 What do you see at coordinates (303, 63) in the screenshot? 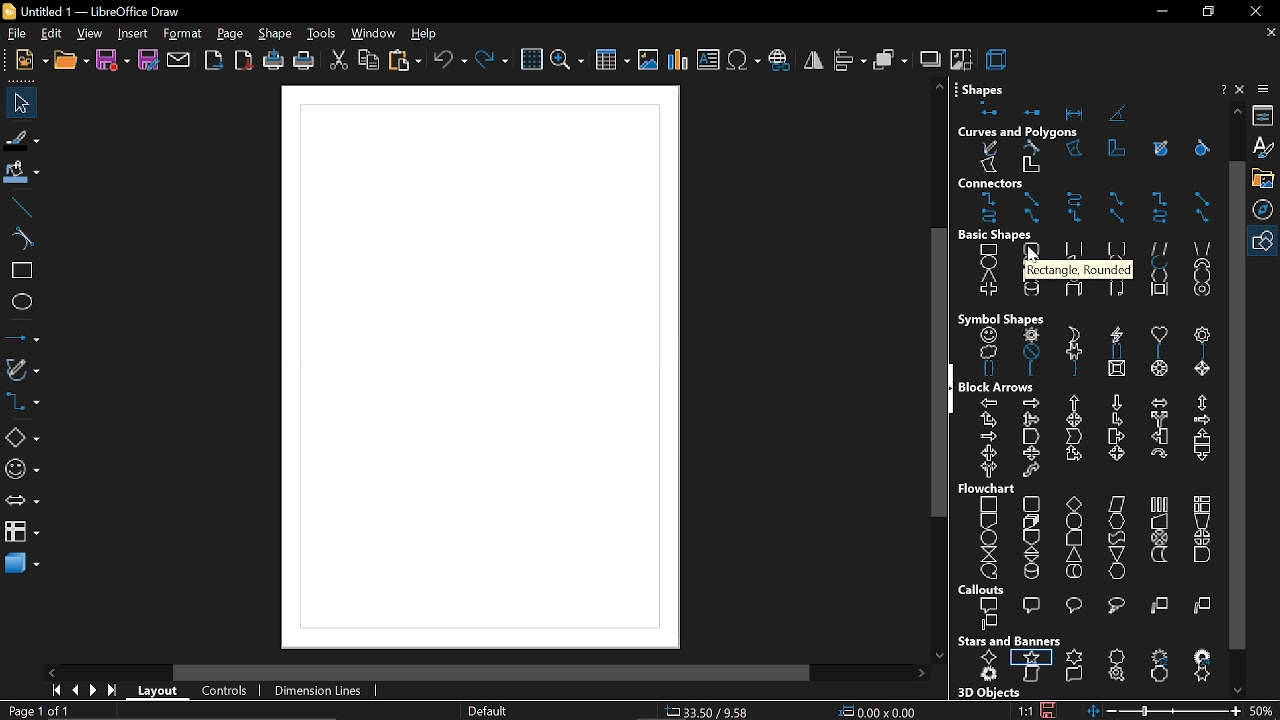
I see `print` at bounding box center [303, 63].